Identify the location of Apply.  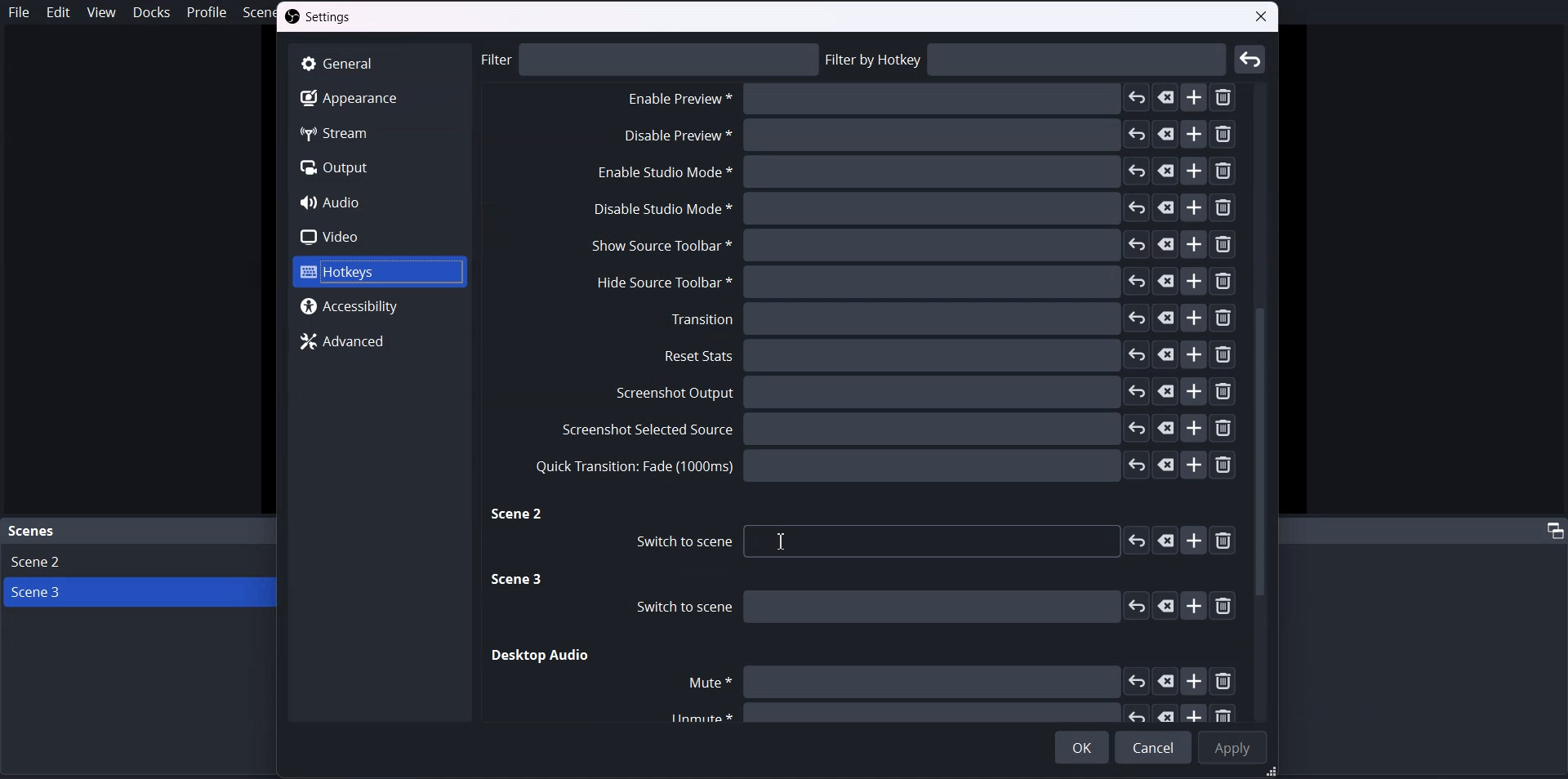
(1232, 748).